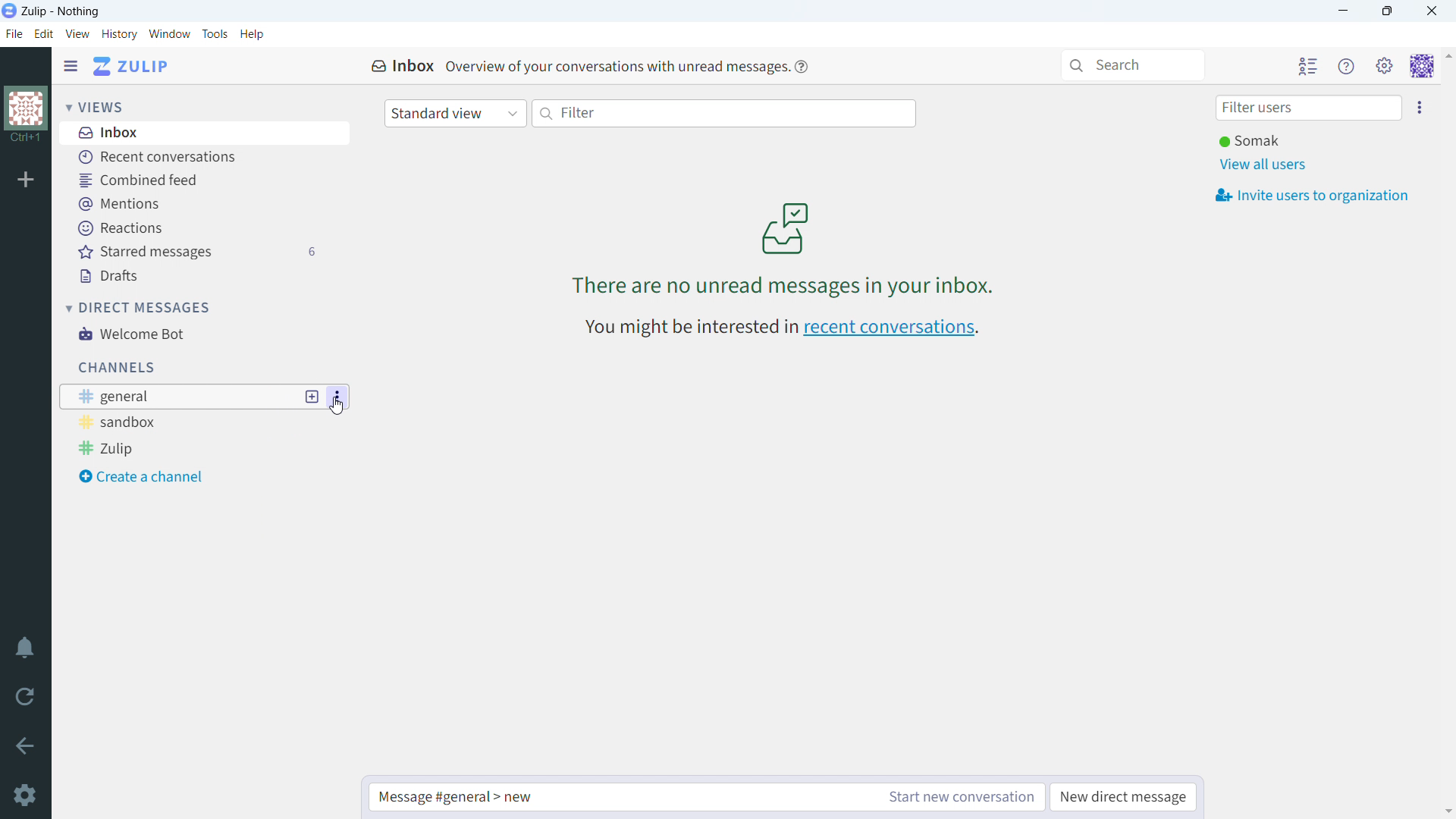 Image resolution: width=1456 pixels, height=819 pixels. I want to click on mentions, so click(196, 205).